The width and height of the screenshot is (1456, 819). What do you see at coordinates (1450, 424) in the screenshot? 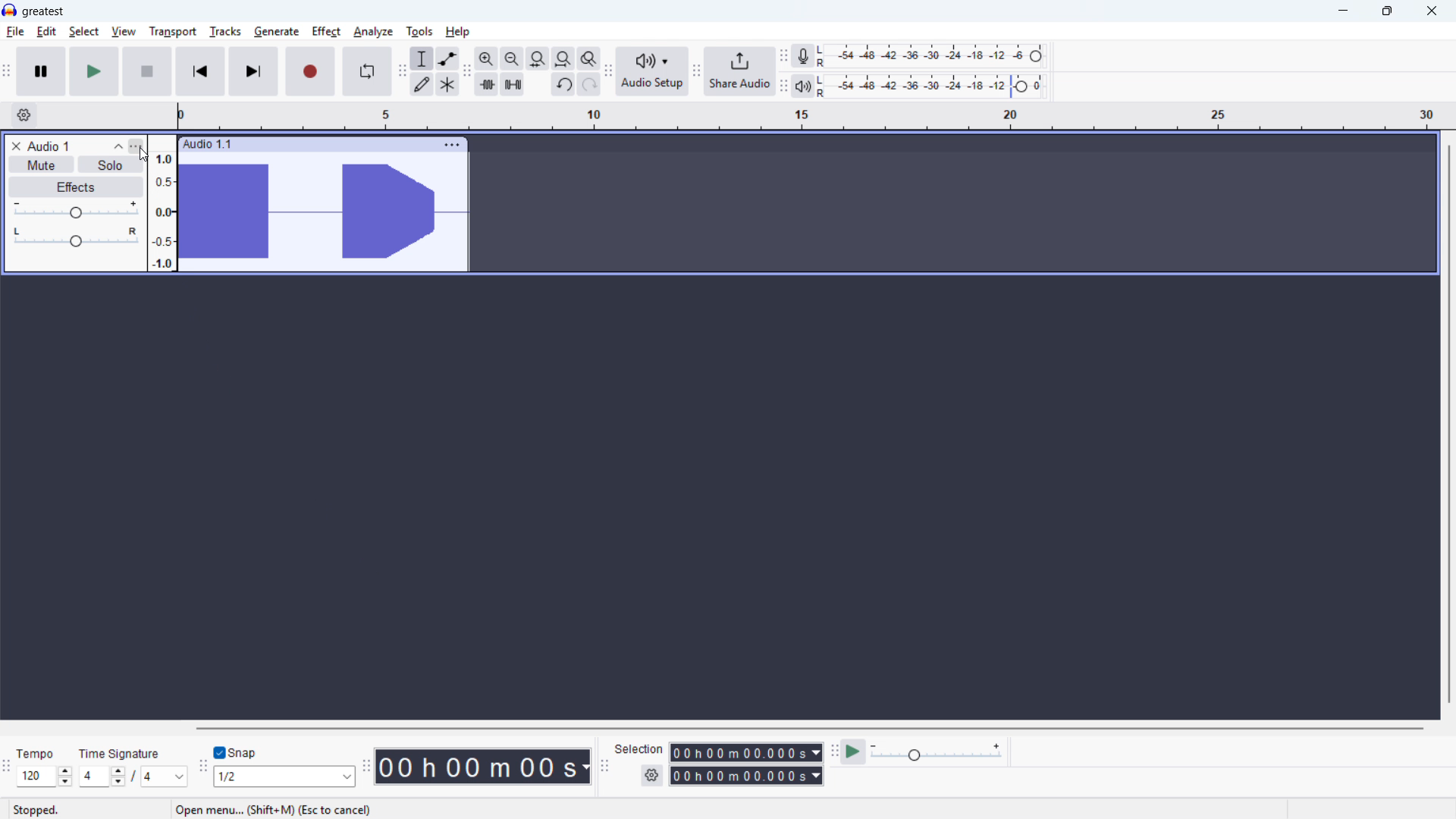
I see `Vertical scroll bar ` at bounding box center [1450, 424].